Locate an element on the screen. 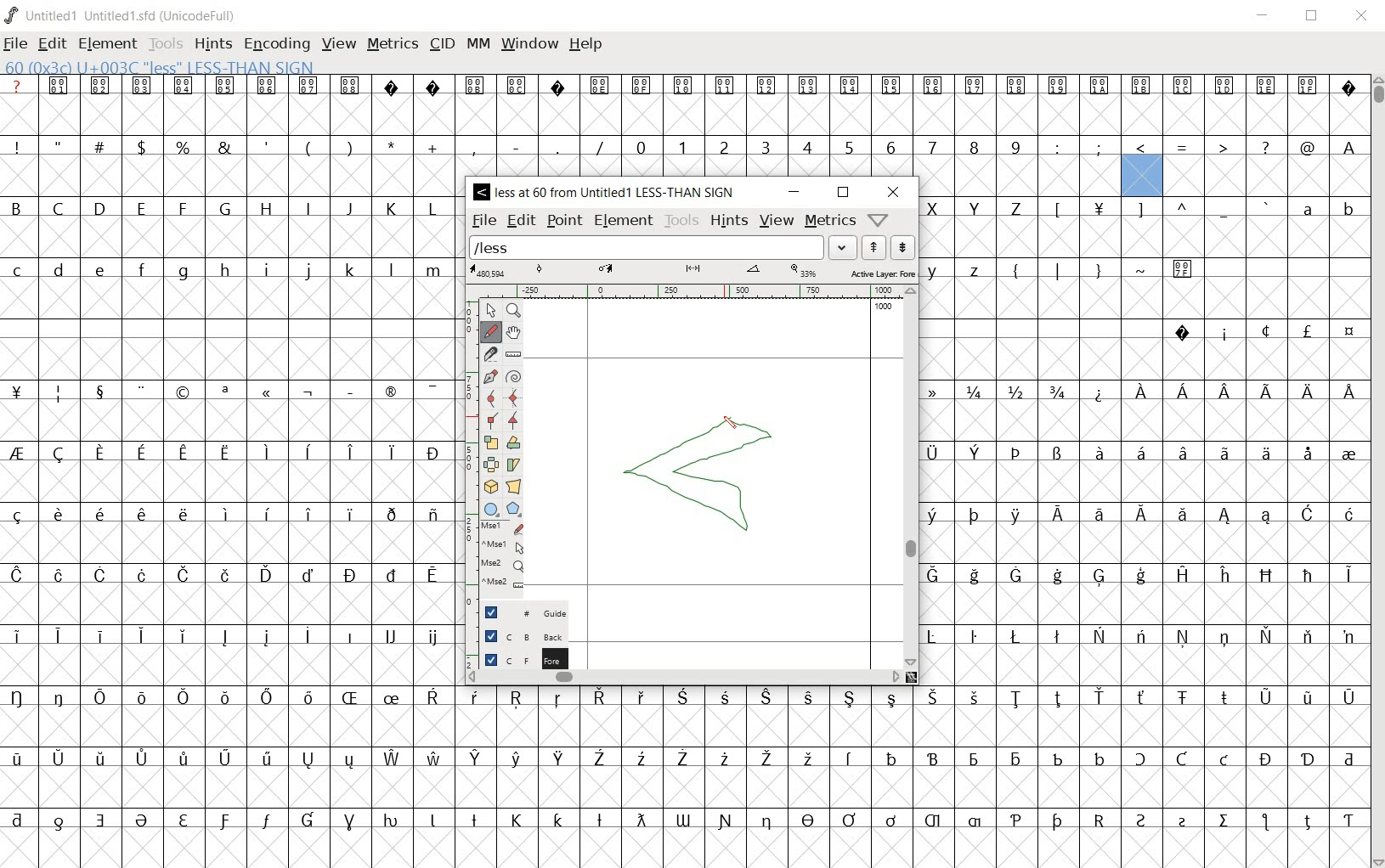  special letters is located at coordinates (1145, 574).